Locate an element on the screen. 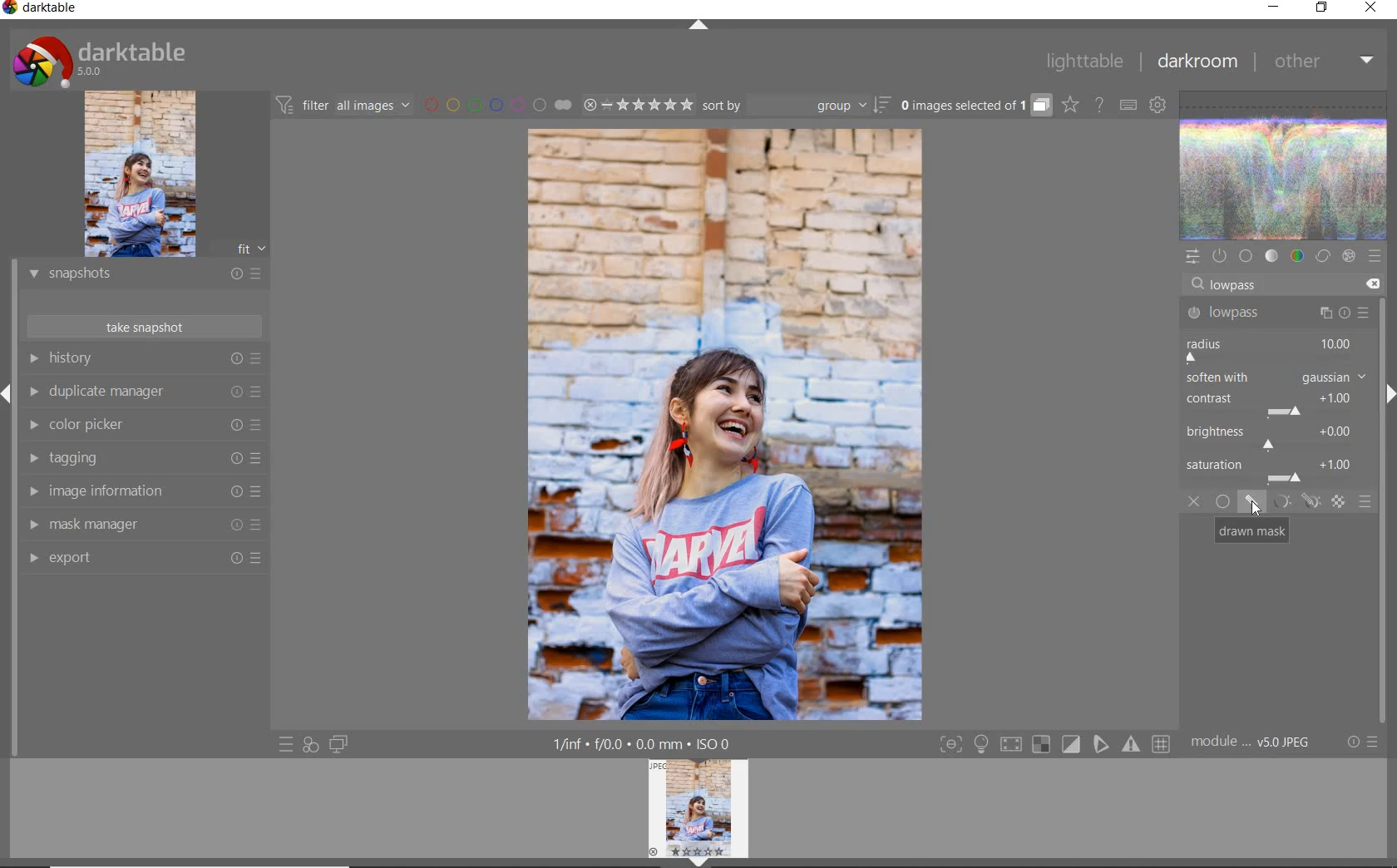  waveform is located at coordinates (1285, 164).